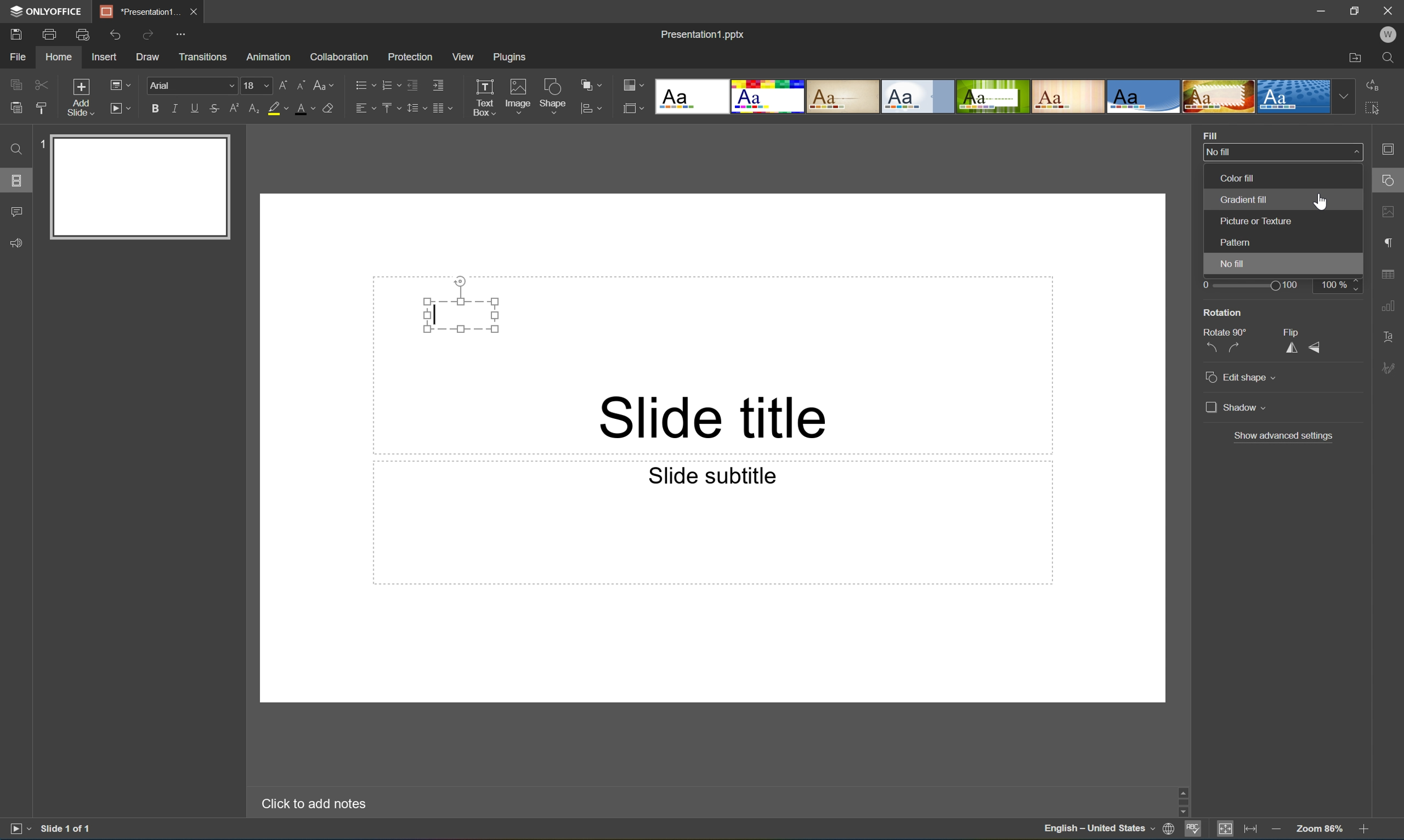 This screenshot has height=840, width=1404. I want to click on Scroll Down, so click(1363, 812).